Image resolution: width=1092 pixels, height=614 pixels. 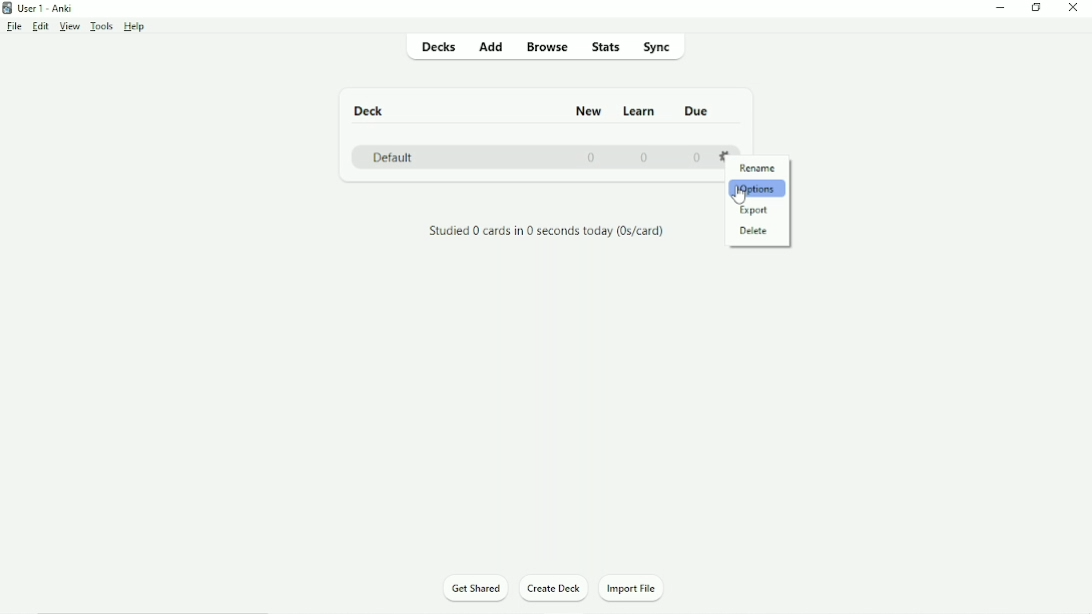 What do you see at coordinates (547, 49) in the screenshot?
I see `Browse` at bounding box center [547, 49].